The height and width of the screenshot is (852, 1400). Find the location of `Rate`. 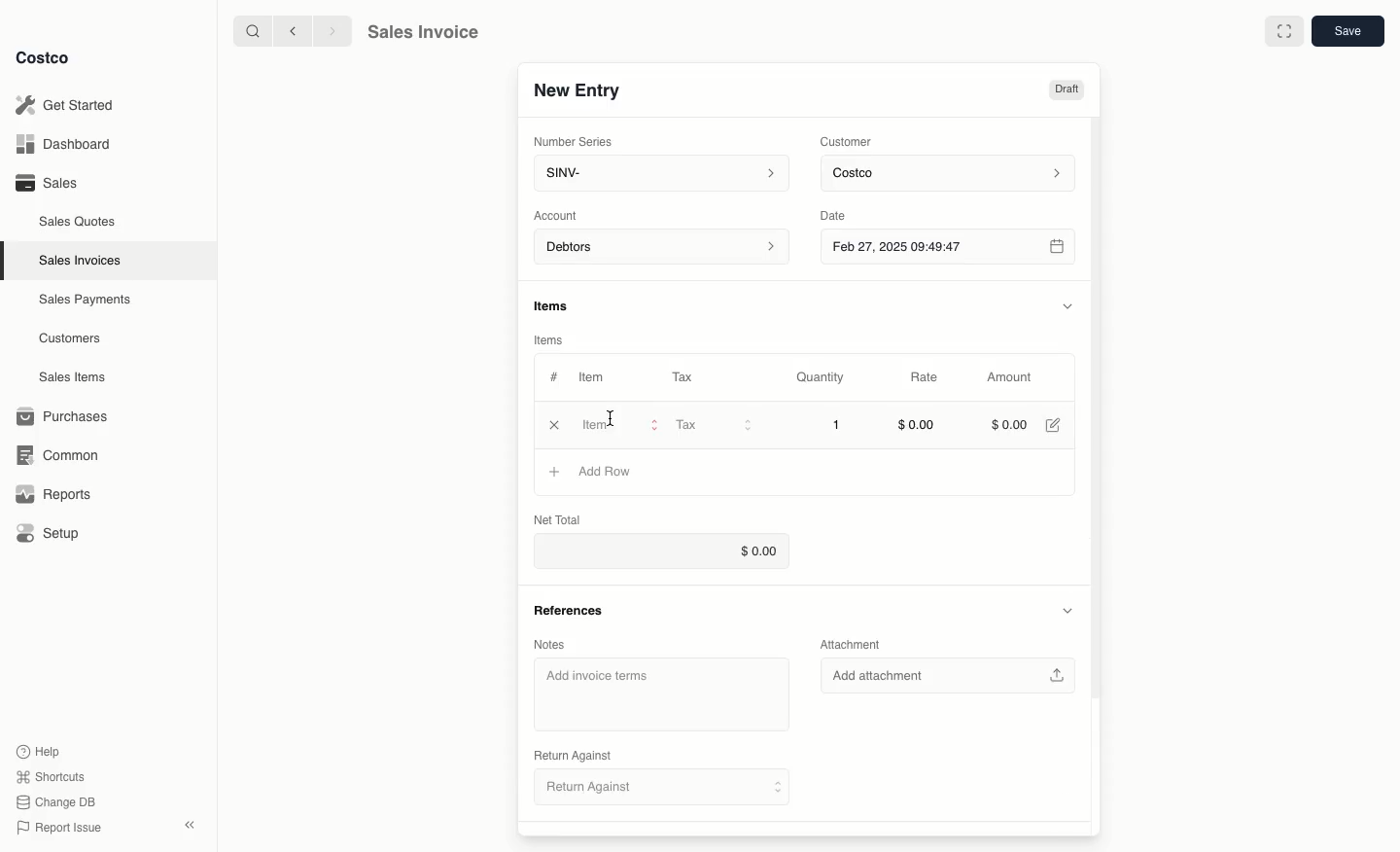

Rate is located at coordinates (926, 378).